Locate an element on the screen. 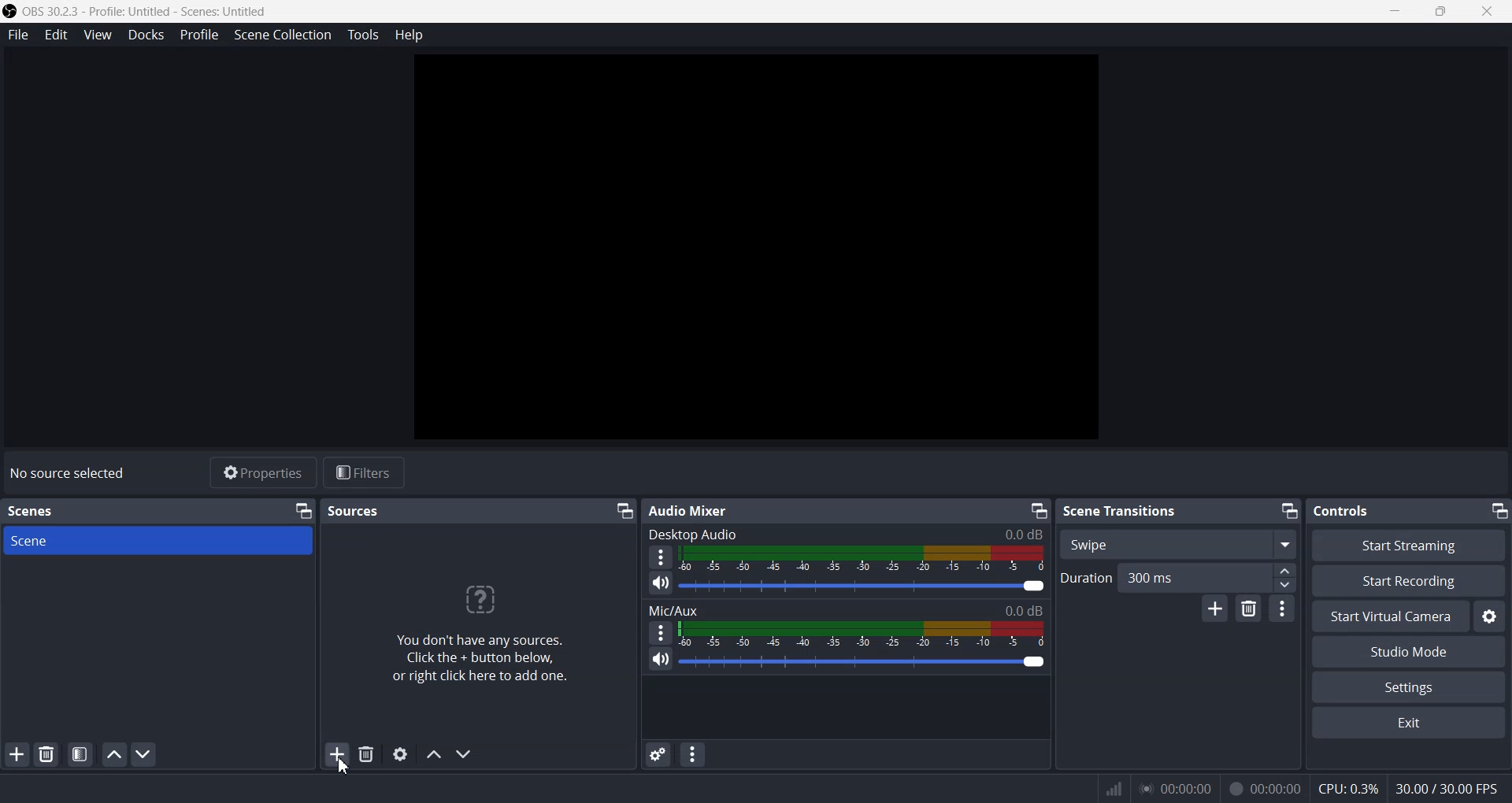 The image size is (1512, 803). 00.00.00 is located at coordinates (1177, 788).